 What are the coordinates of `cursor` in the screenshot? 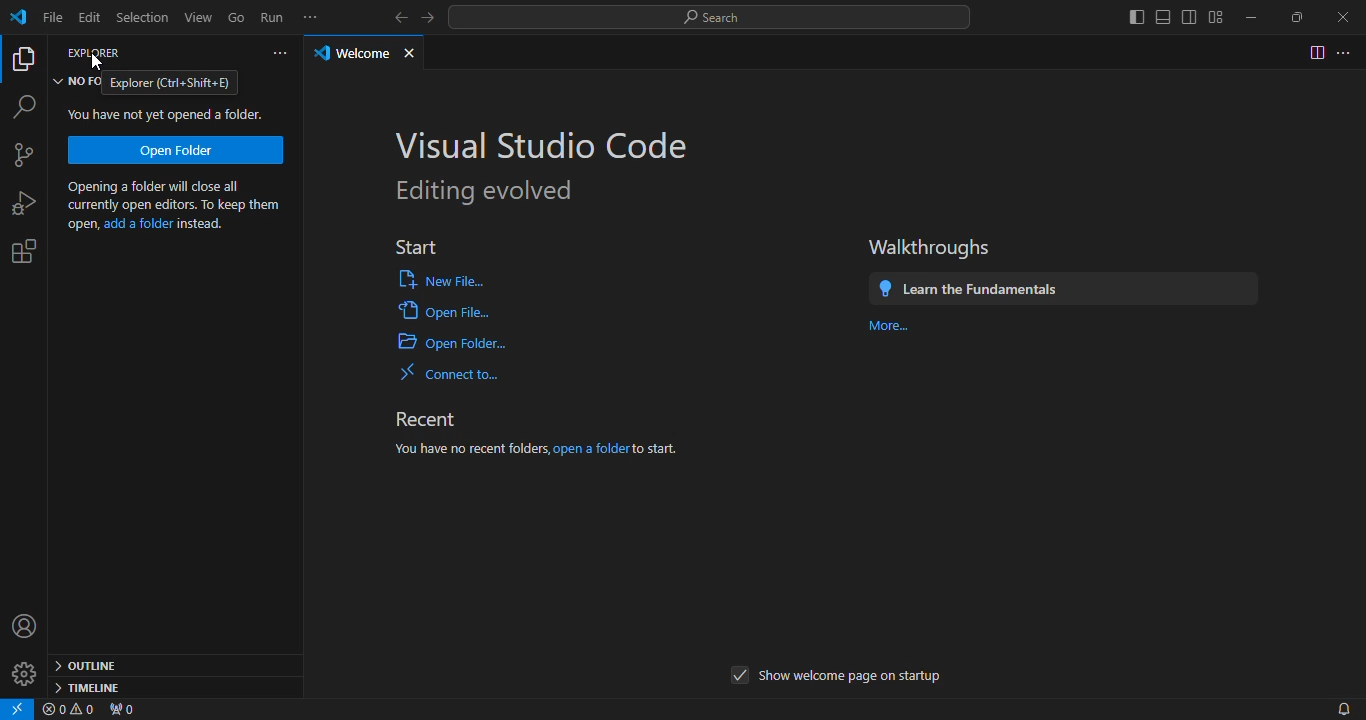 It's located at (100, 62).